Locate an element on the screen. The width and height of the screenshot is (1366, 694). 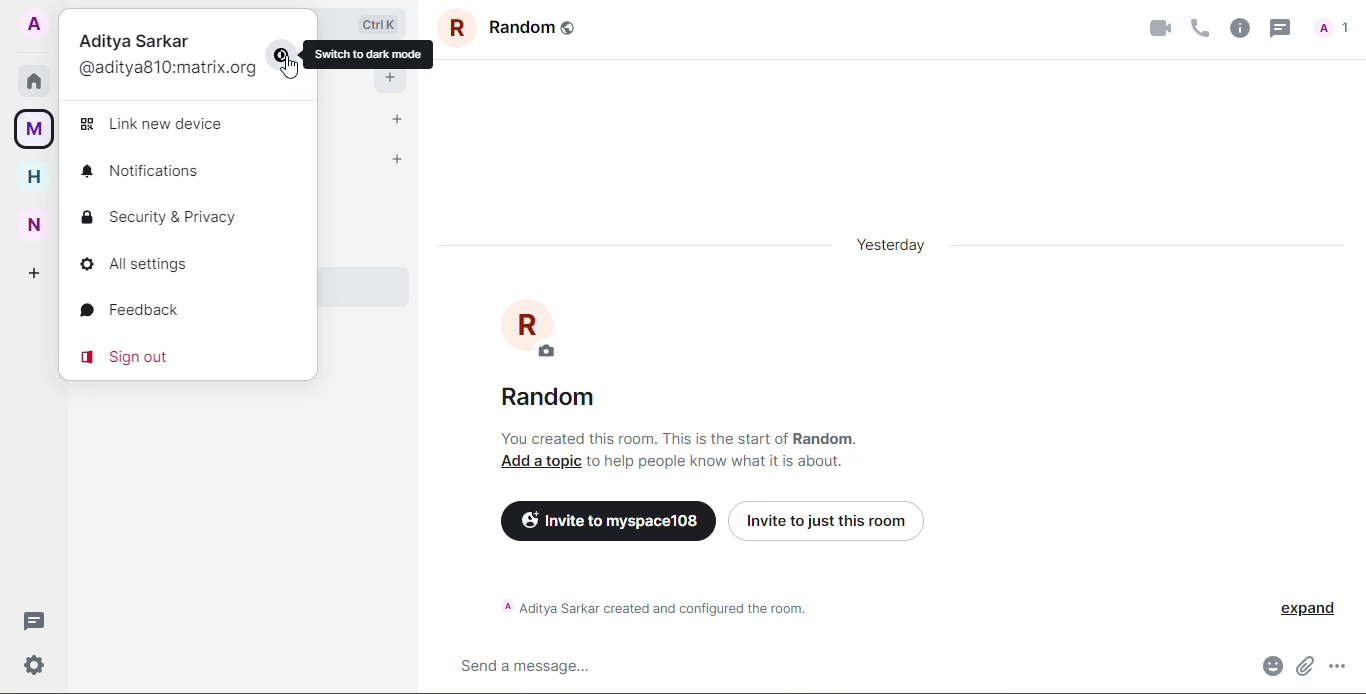
voice call is located at coordinates (1198, 27).